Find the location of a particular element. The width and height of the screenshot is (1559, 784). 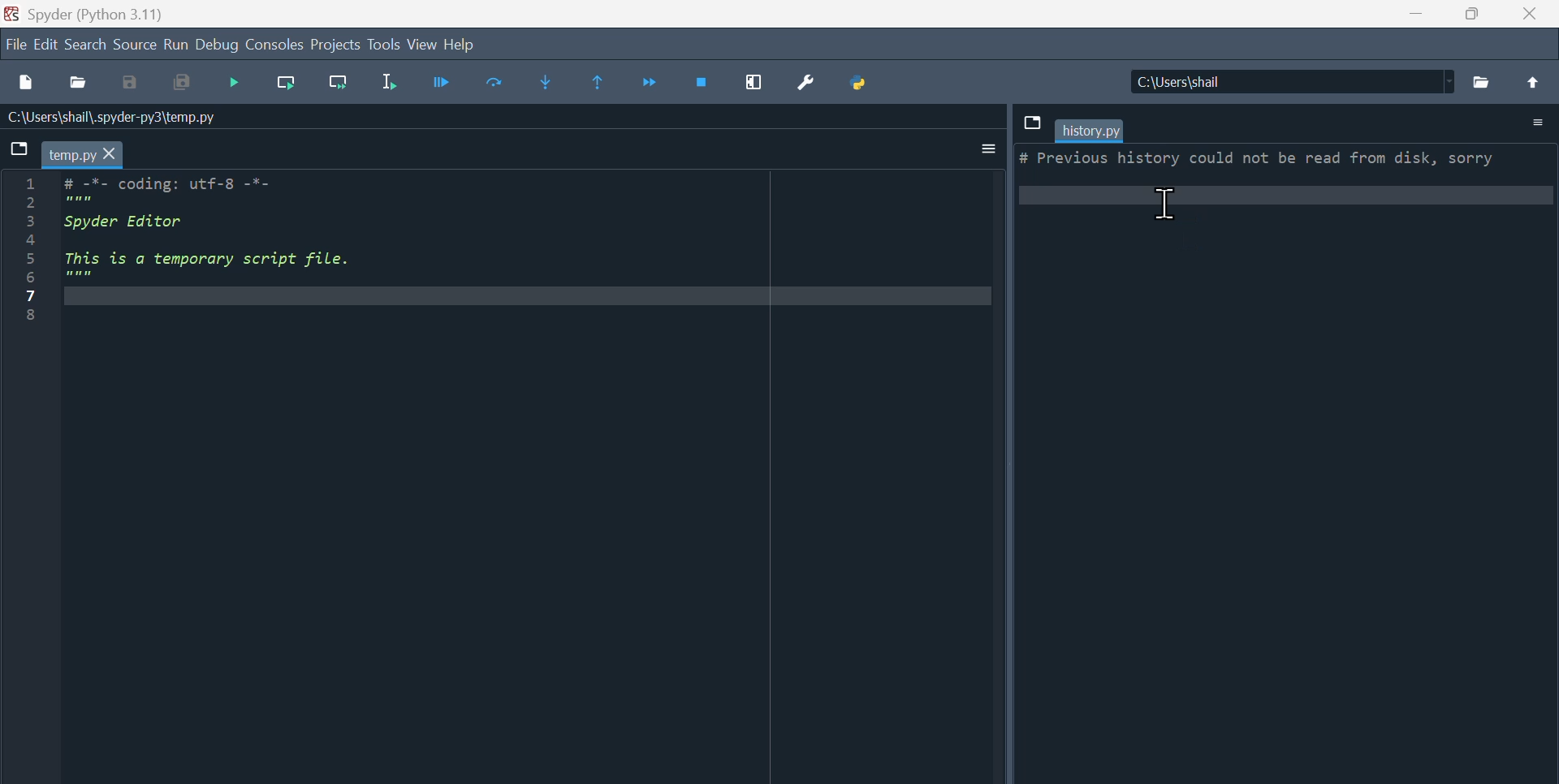

Preferences is located at coordinates (813, 80).